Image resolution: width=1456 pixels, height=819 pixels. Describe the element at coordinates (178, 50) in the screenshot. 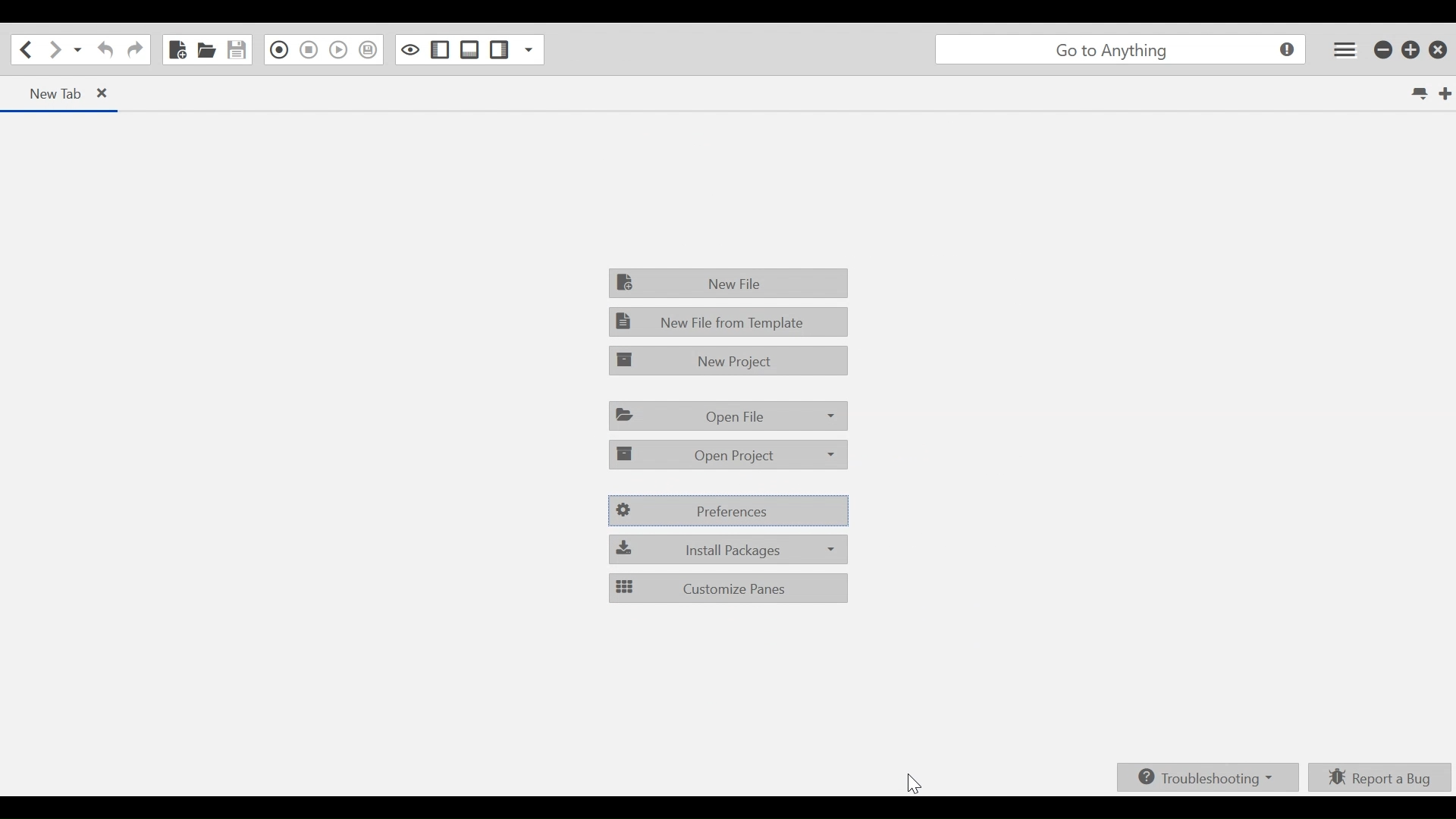

I see `New File` at that location.